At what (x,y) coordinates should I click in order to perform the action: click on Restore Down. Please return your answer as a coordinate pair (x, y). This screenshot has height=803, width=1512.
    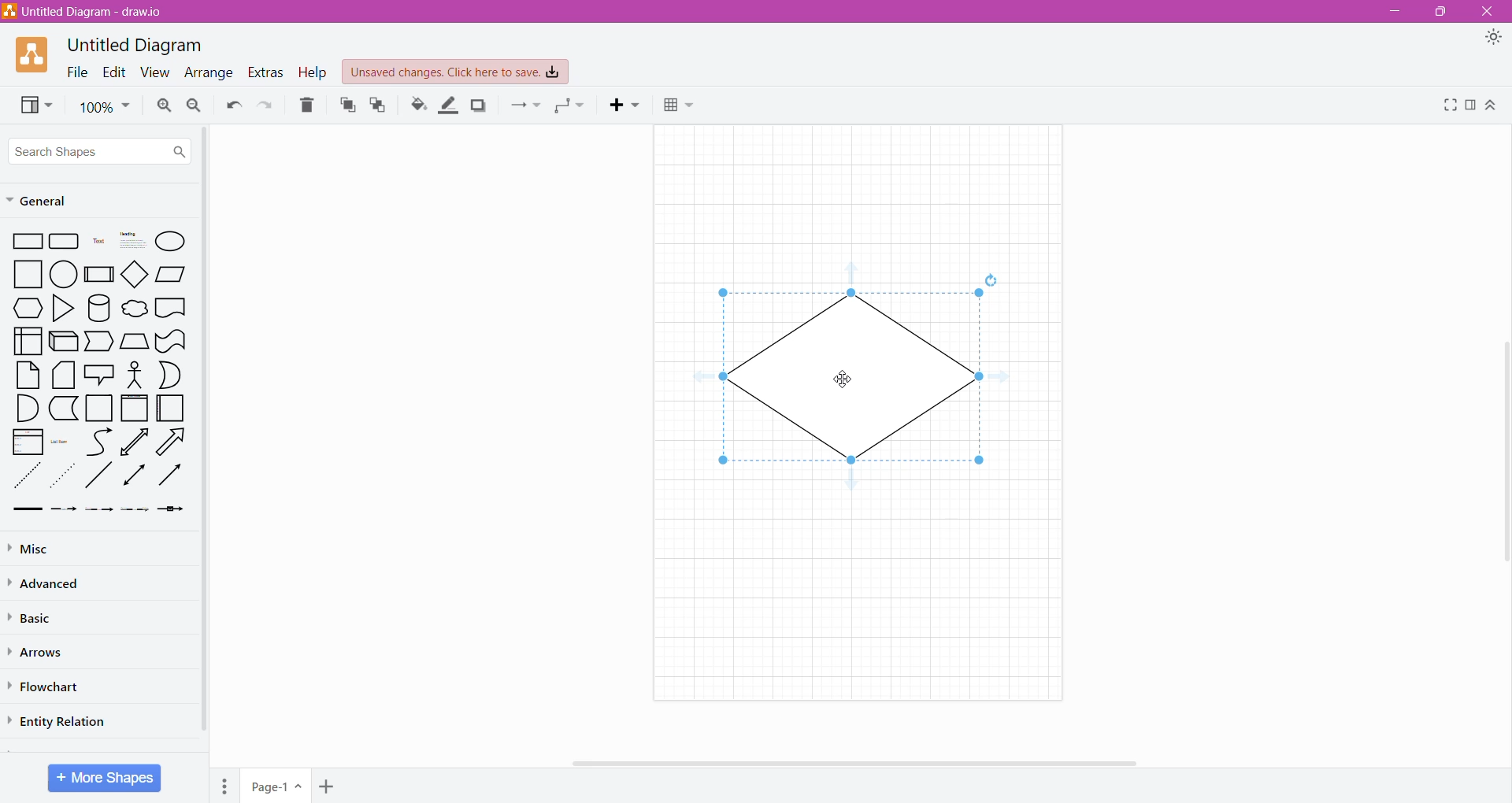
    Looking at the image, I should click on (1441, 11).